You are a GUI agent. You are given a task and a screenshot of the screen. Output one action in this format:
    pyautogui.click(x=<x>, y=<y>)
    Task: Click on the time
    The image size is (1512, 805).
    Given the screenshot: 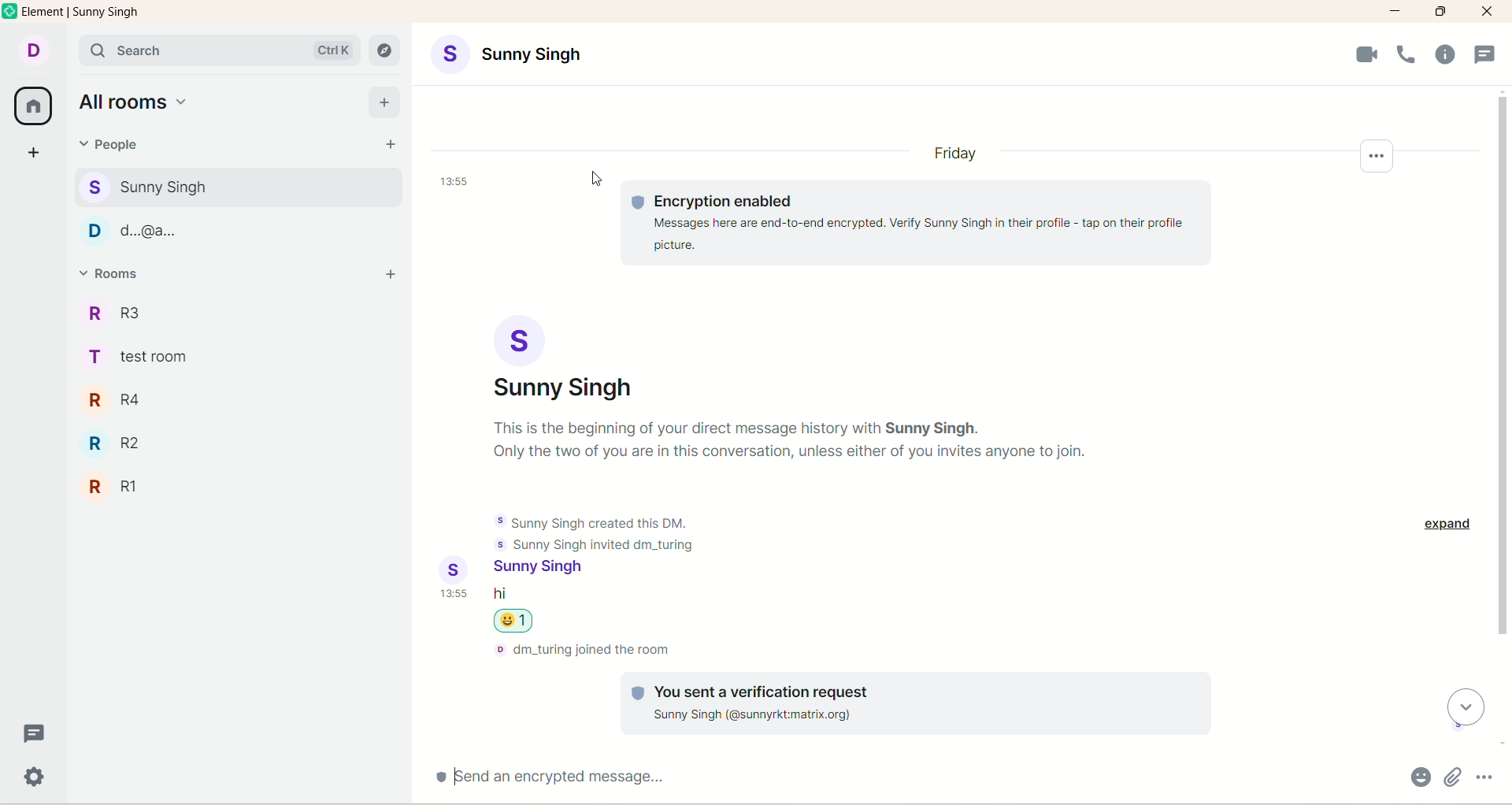 What is the action you would take?
    pyautogui.click(x=455, y=592)
    